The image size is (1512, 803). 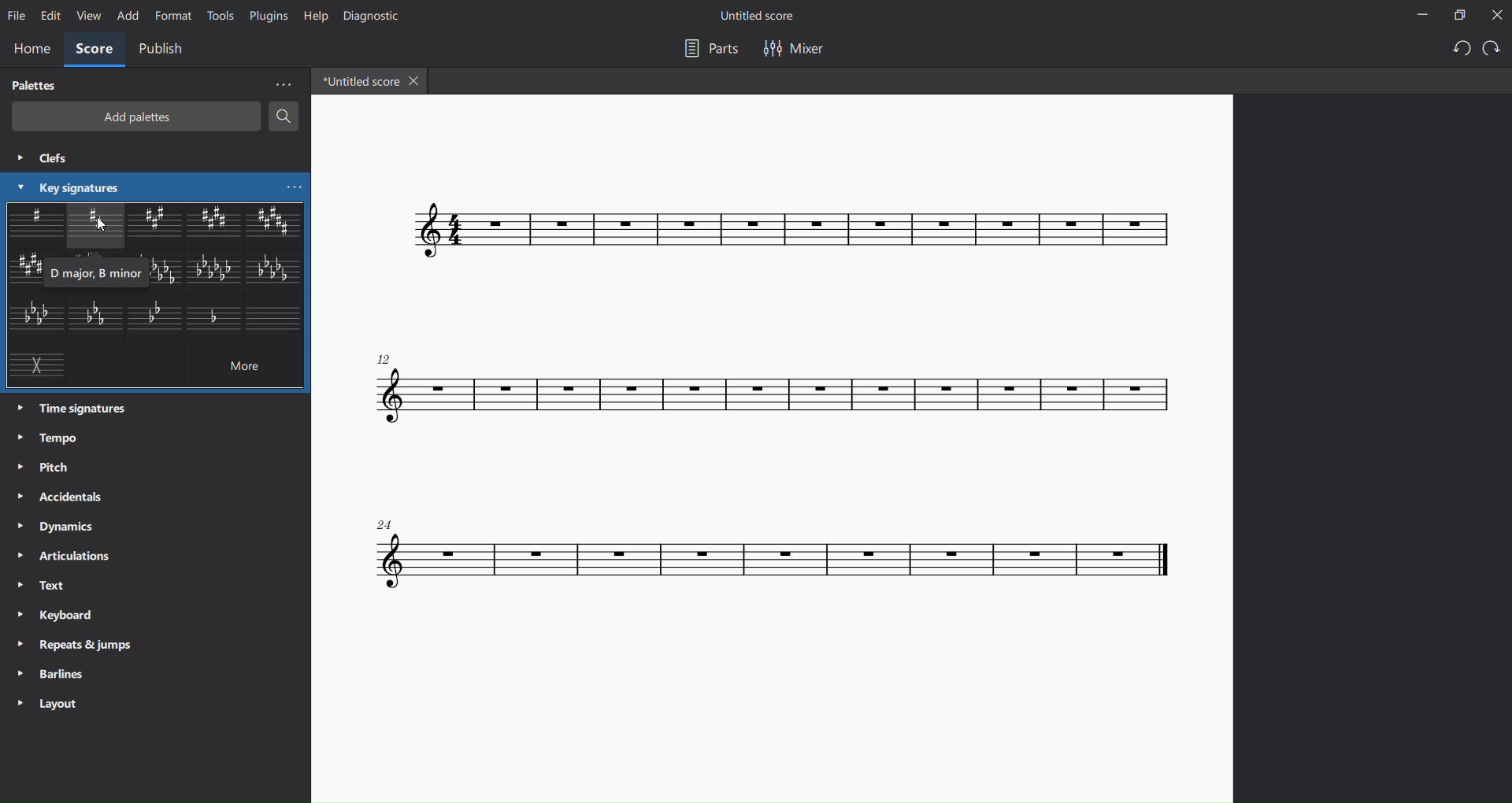 I want to click on other key signatures, so click(x=157, y=228).